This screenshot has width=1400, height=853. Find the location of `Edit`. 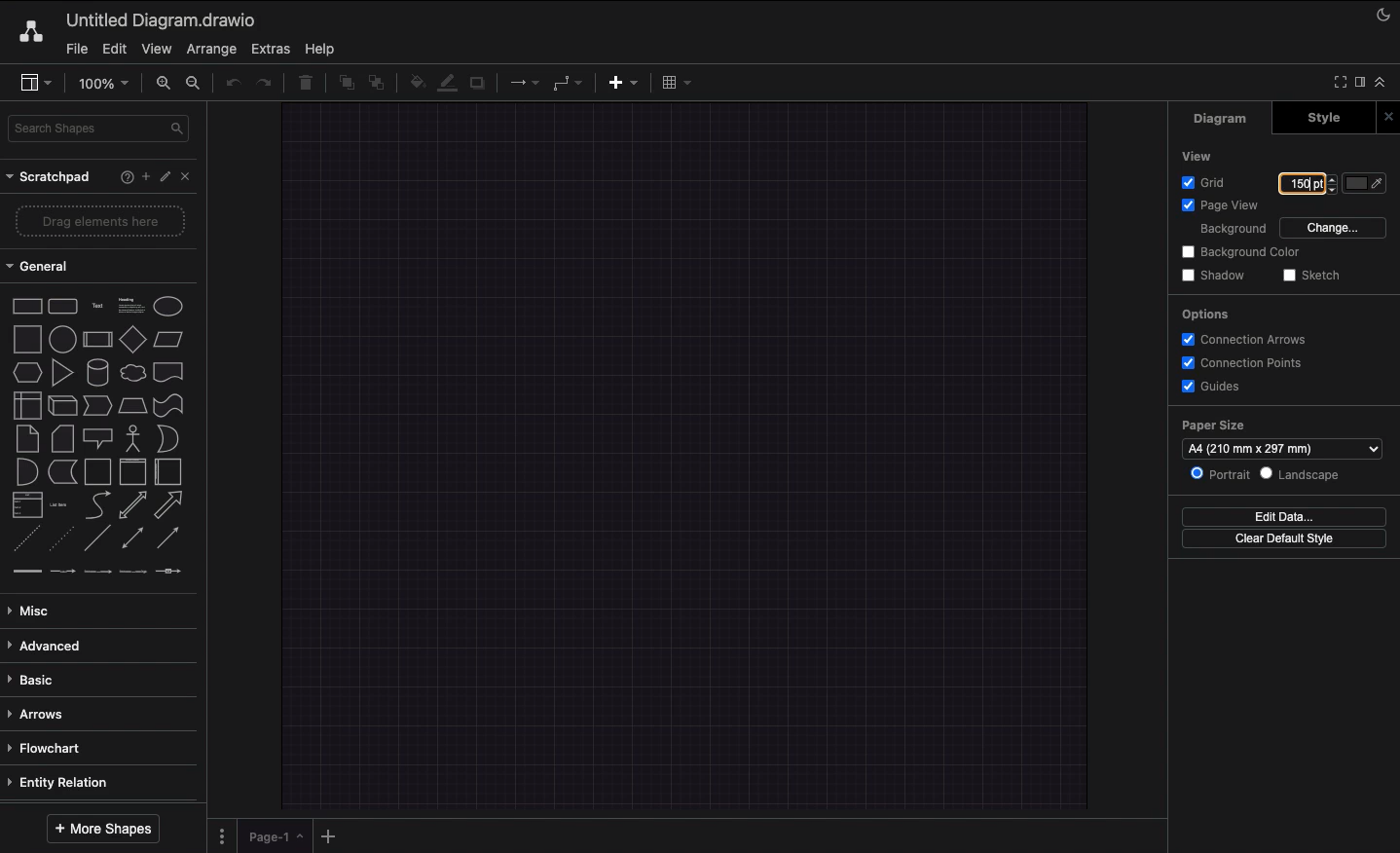

Edit is located at coordinates (114, 50).